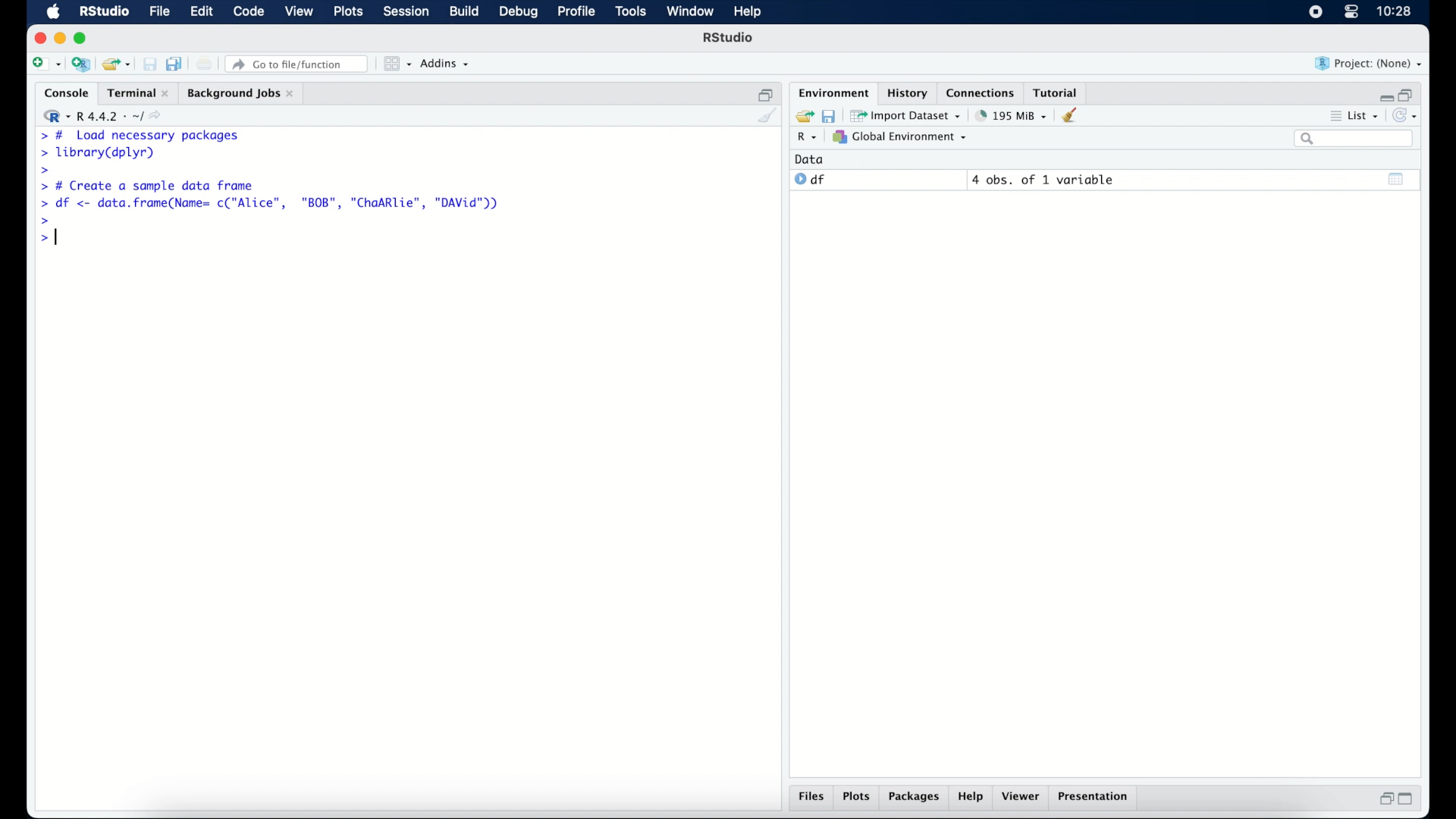 This screenshot has height=819, width=1456. I want to click on save, so click(149, 64).